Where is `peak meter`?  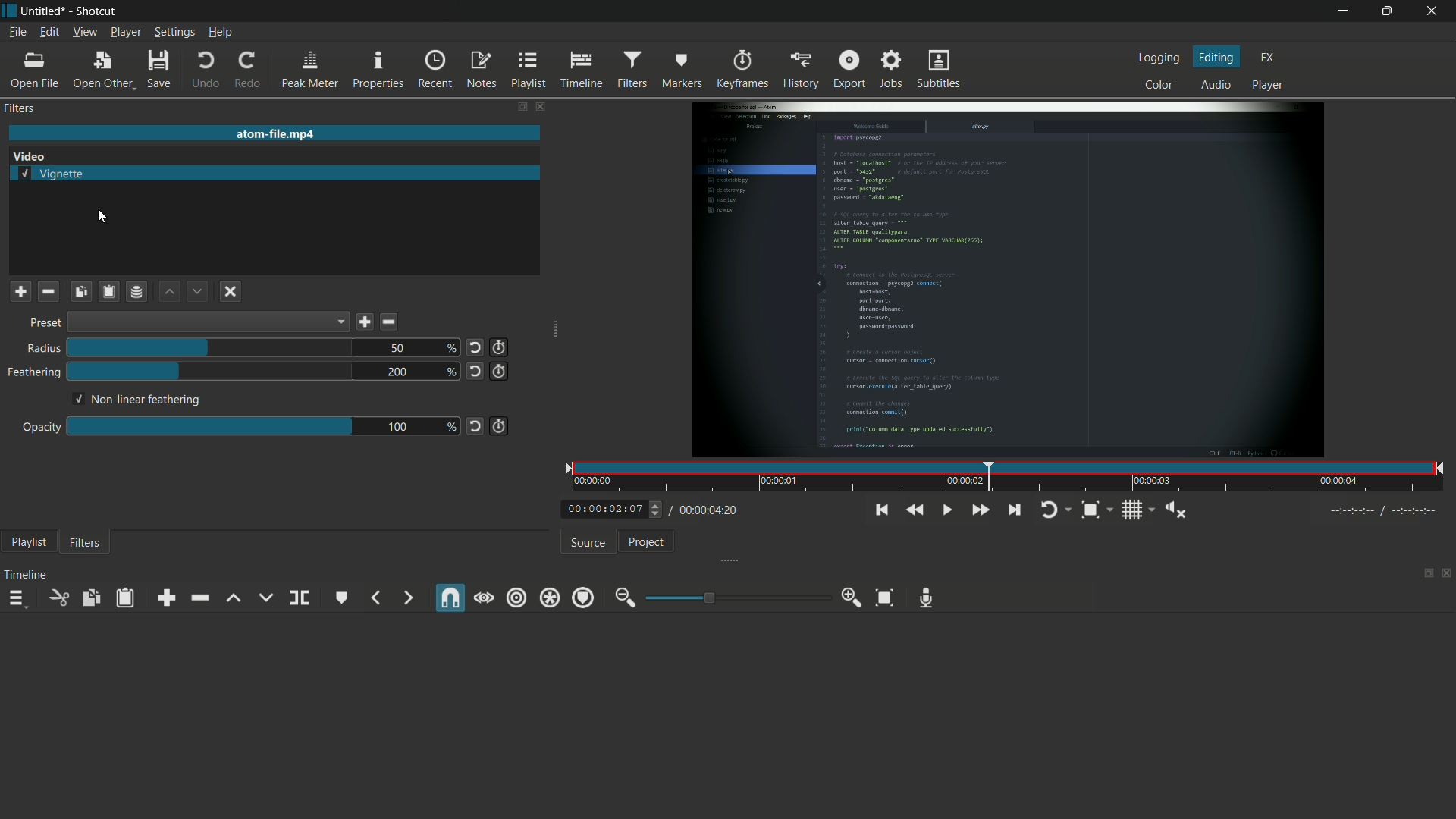 peak meter is located at coordinates (309, 71).